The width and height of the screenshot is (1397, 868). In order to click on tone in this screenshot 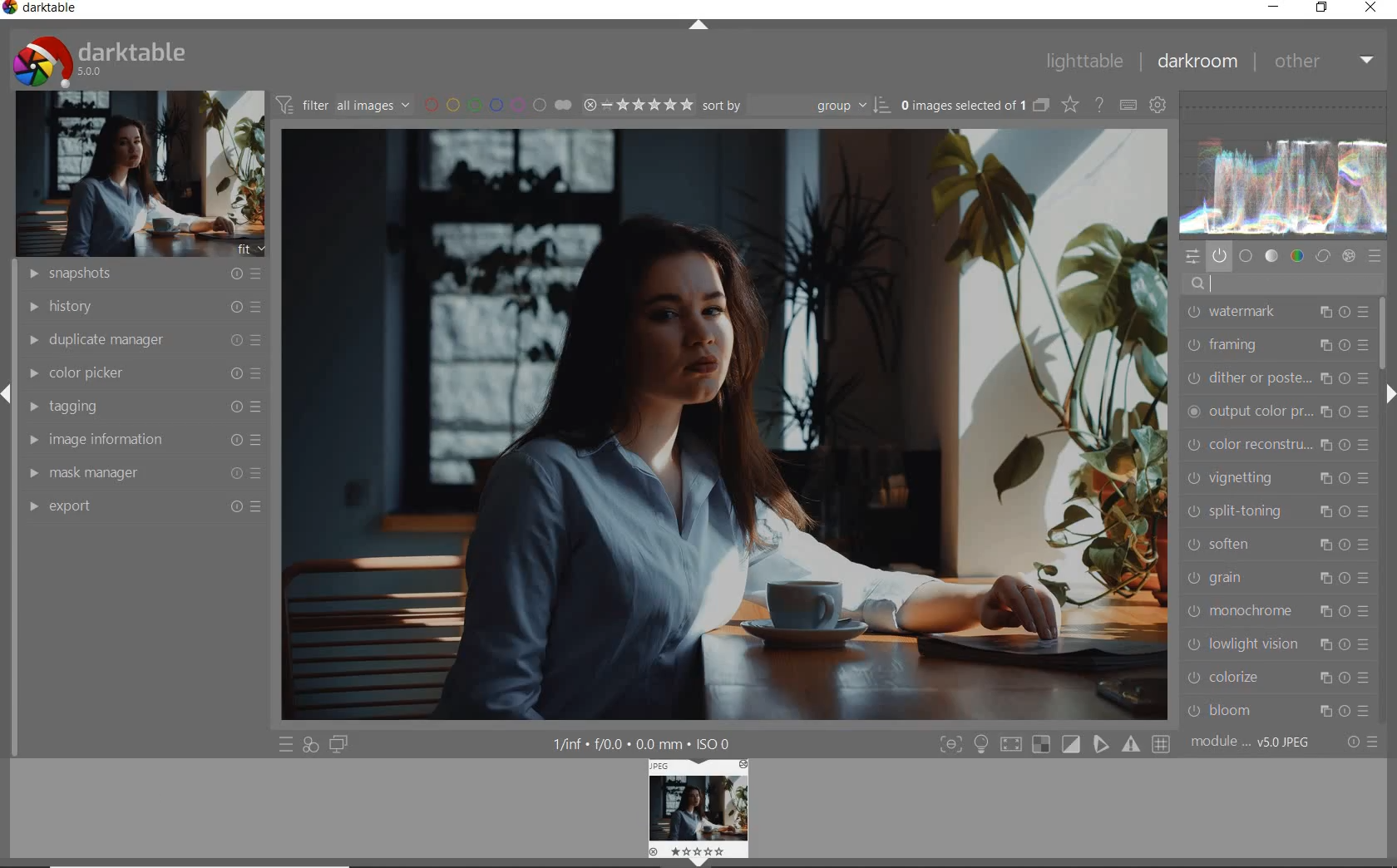, I will do `click(1271, 255)`.